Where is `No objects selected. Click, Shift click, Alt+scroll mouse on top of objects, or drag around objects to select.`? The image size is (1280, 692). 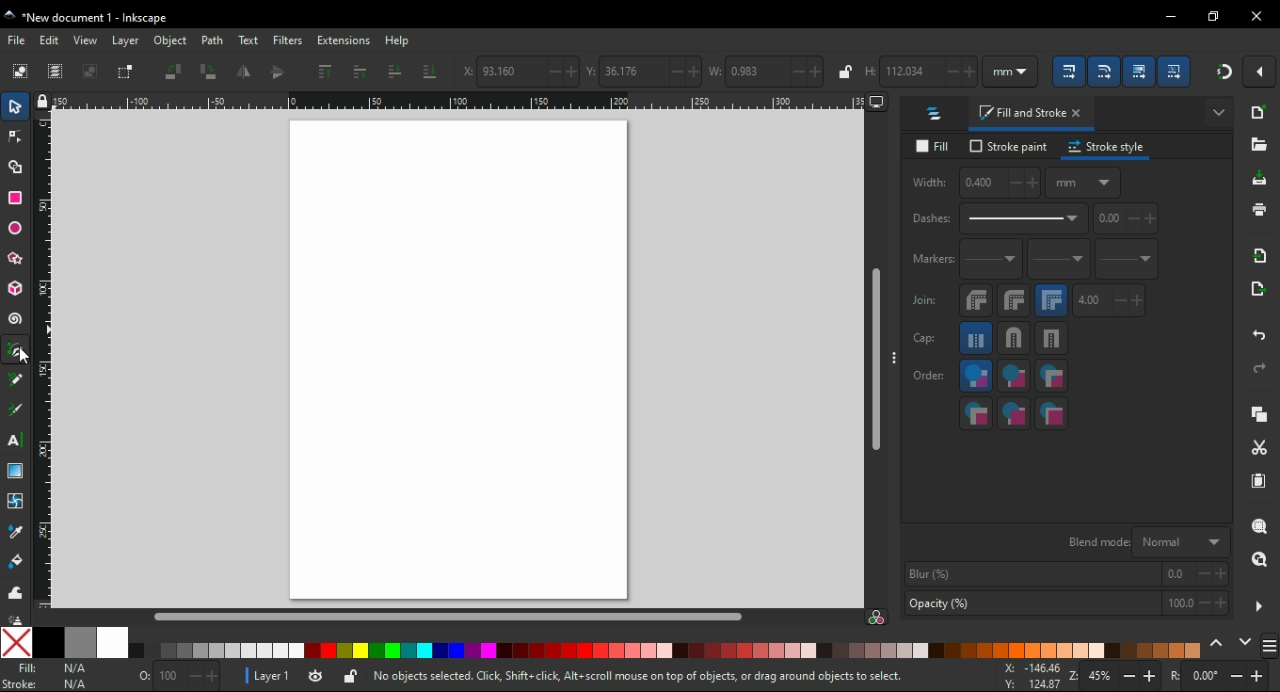 No objects selected. Click, Shift click, Alt+scroll mouse on top of objects, or drag around objects to select. is located at coordinates (636, 678).